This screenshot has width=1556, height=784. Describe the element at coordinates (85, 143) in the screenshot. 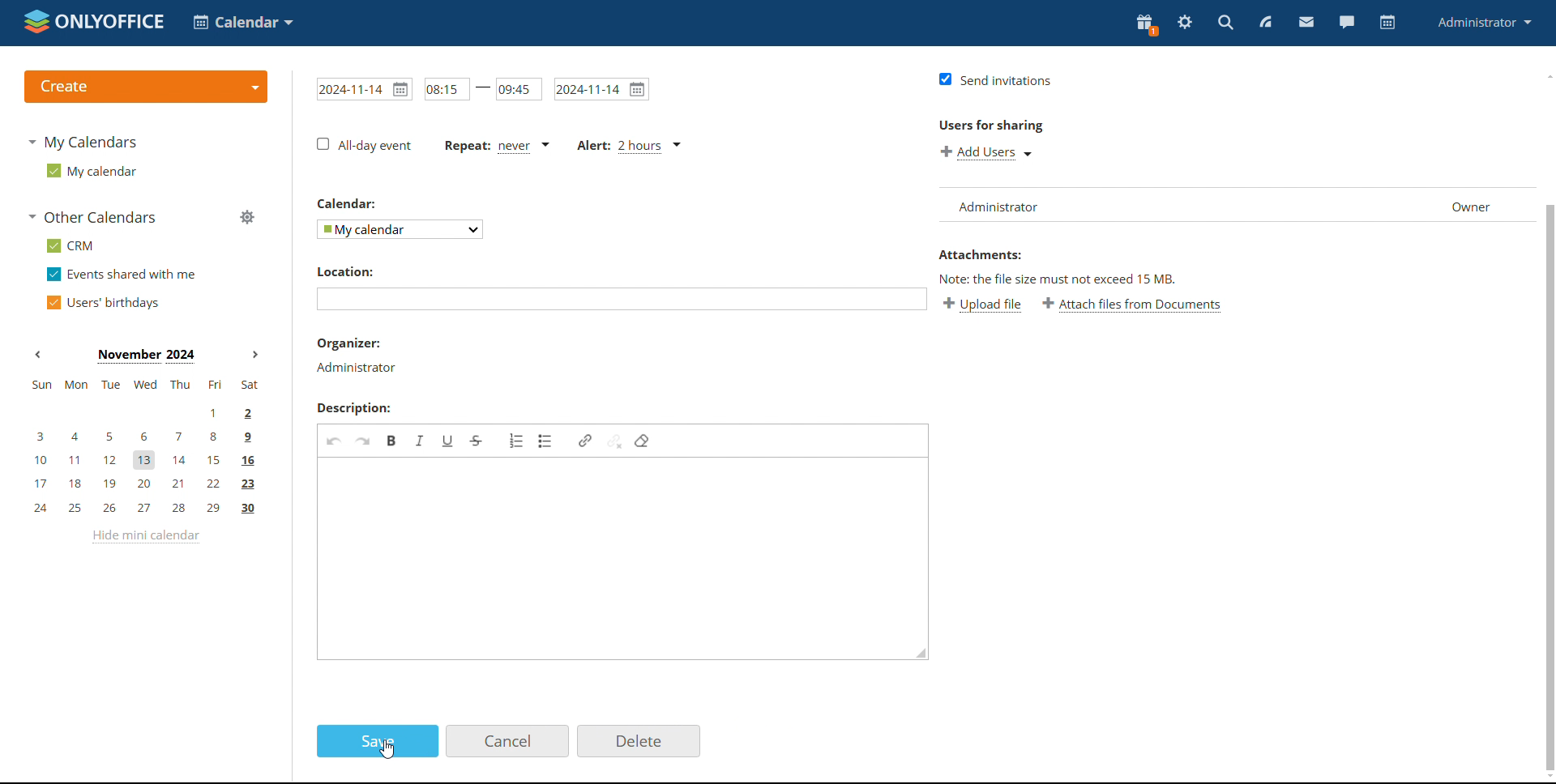

I see `my calendars` at that location.